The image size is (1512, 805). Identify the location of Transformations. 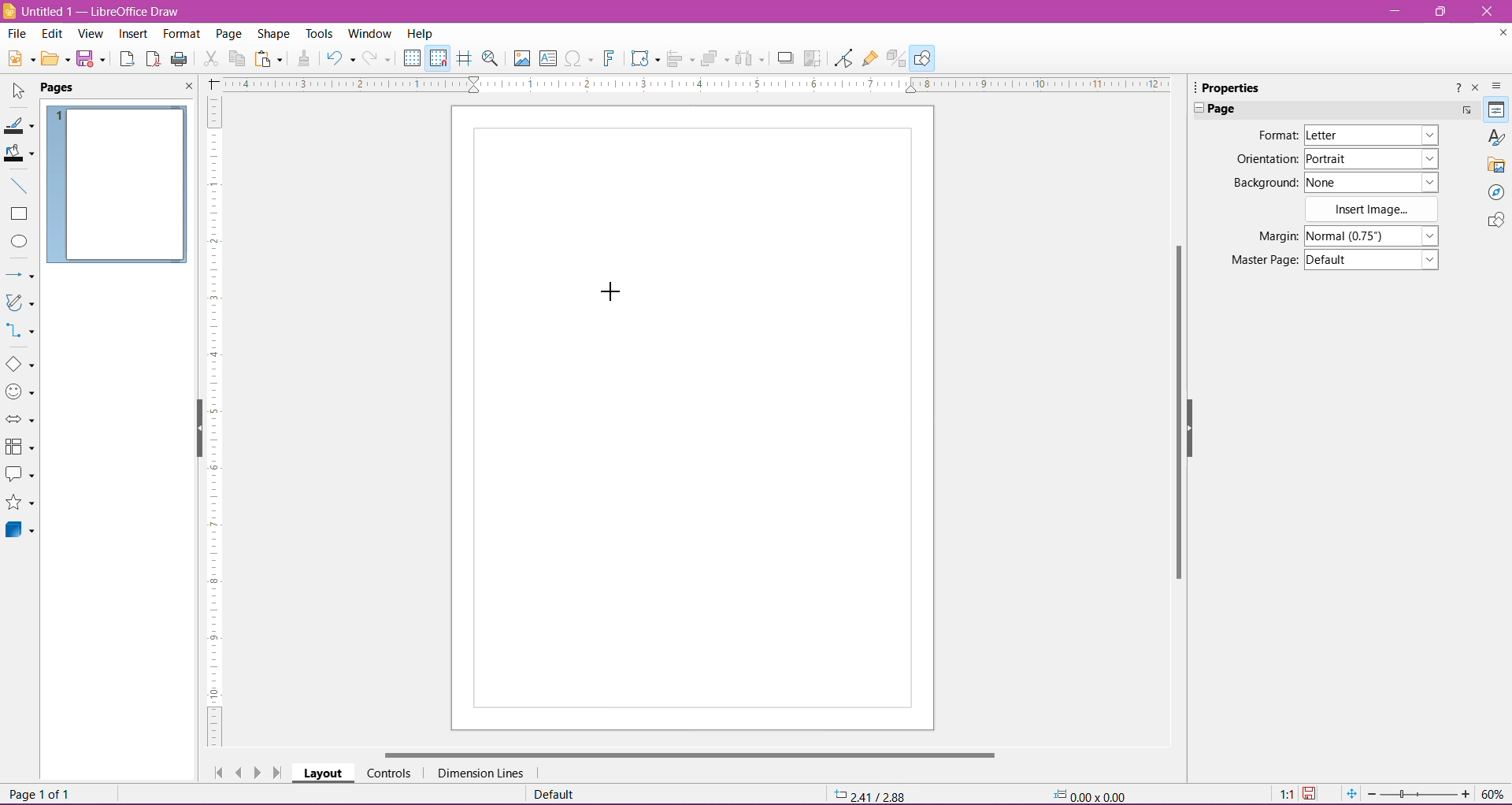
(643, 58).